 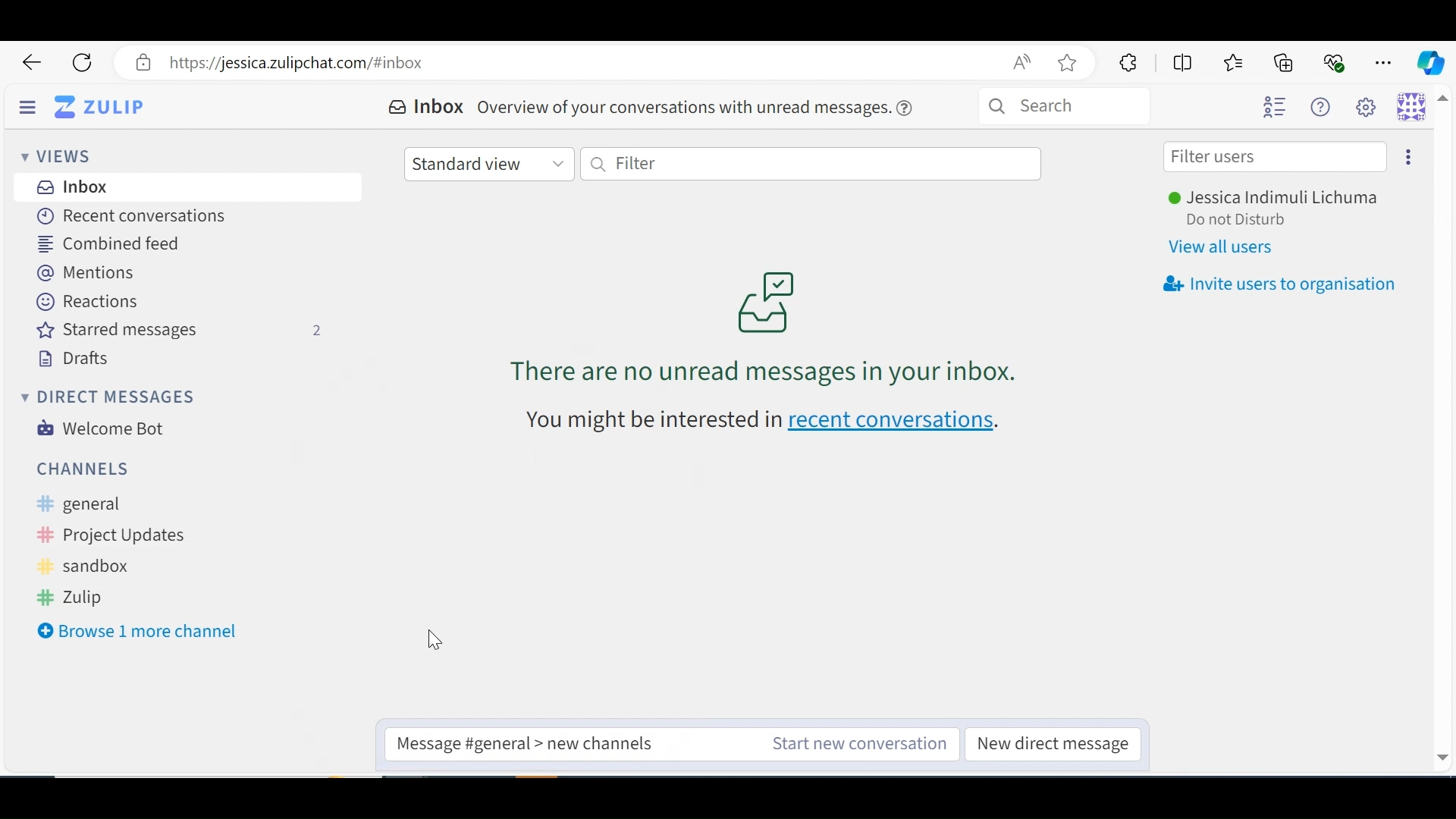 I want to click on Address bar, so click(x=580, y=63).